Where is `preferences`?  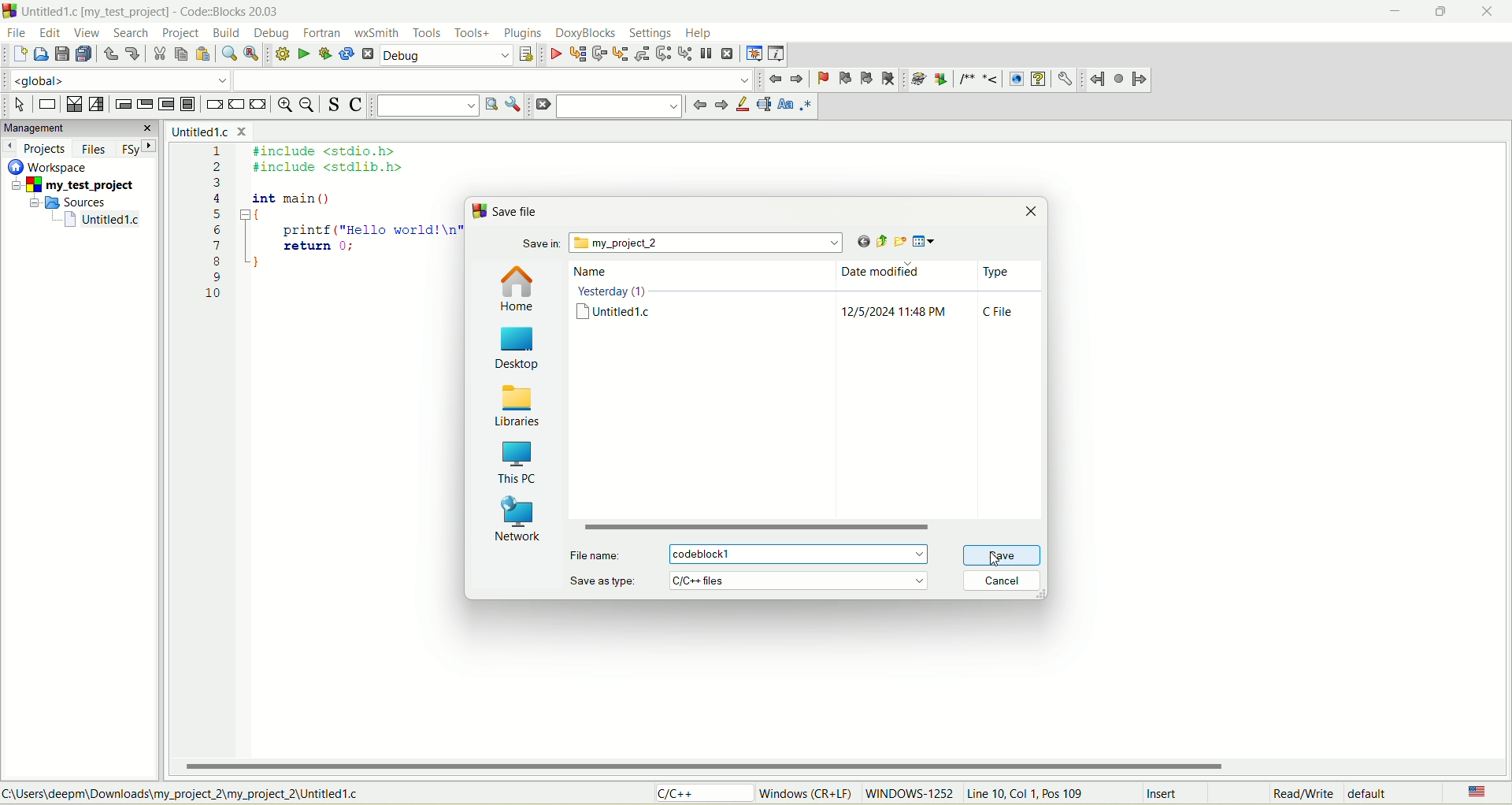
preferences is located at coordinates (1064, 79).